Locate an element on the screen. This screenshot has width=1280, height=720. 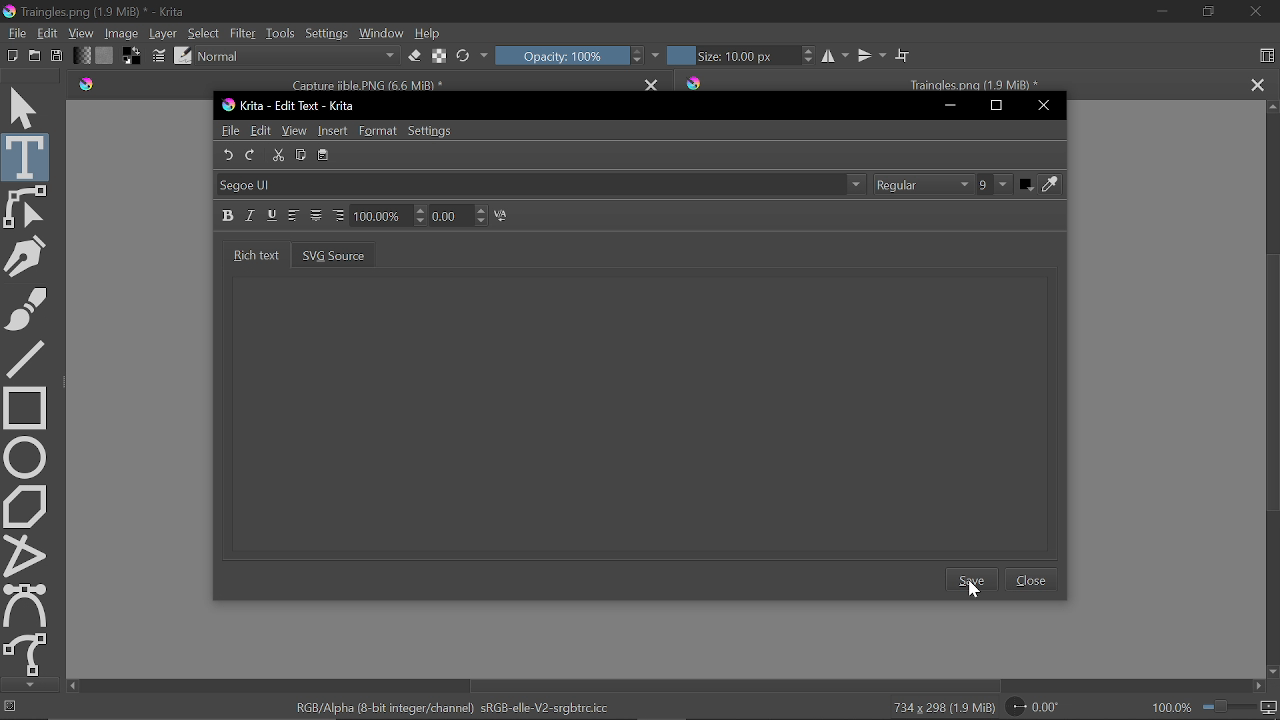
Move right is located at coordinates (1261, 687).